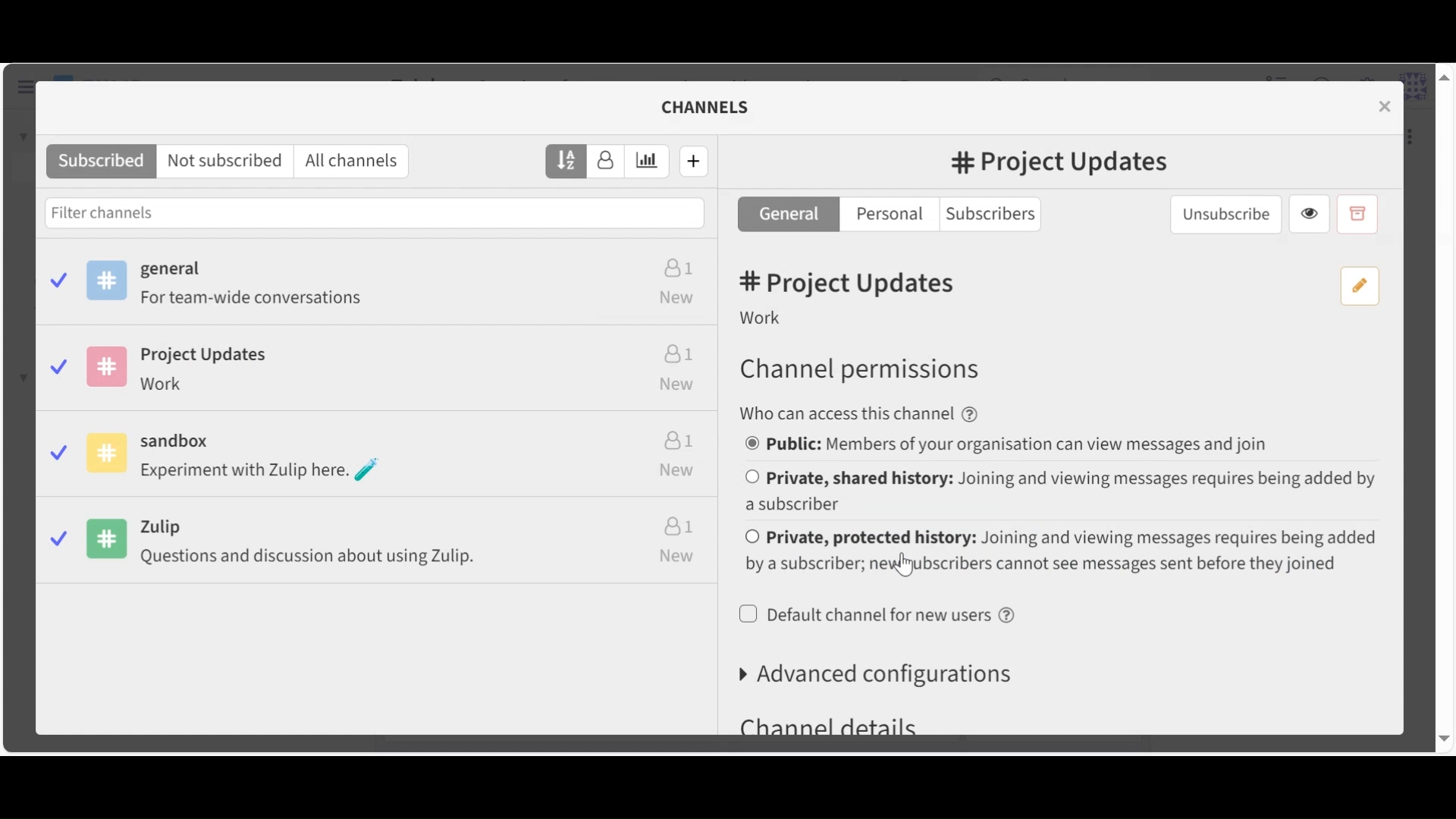 This screenshot has width=1456, height=819. What do you see at coordinates (573, 161) in the screenshot?
I see `Sort by name` at bounding box center [573, 161].